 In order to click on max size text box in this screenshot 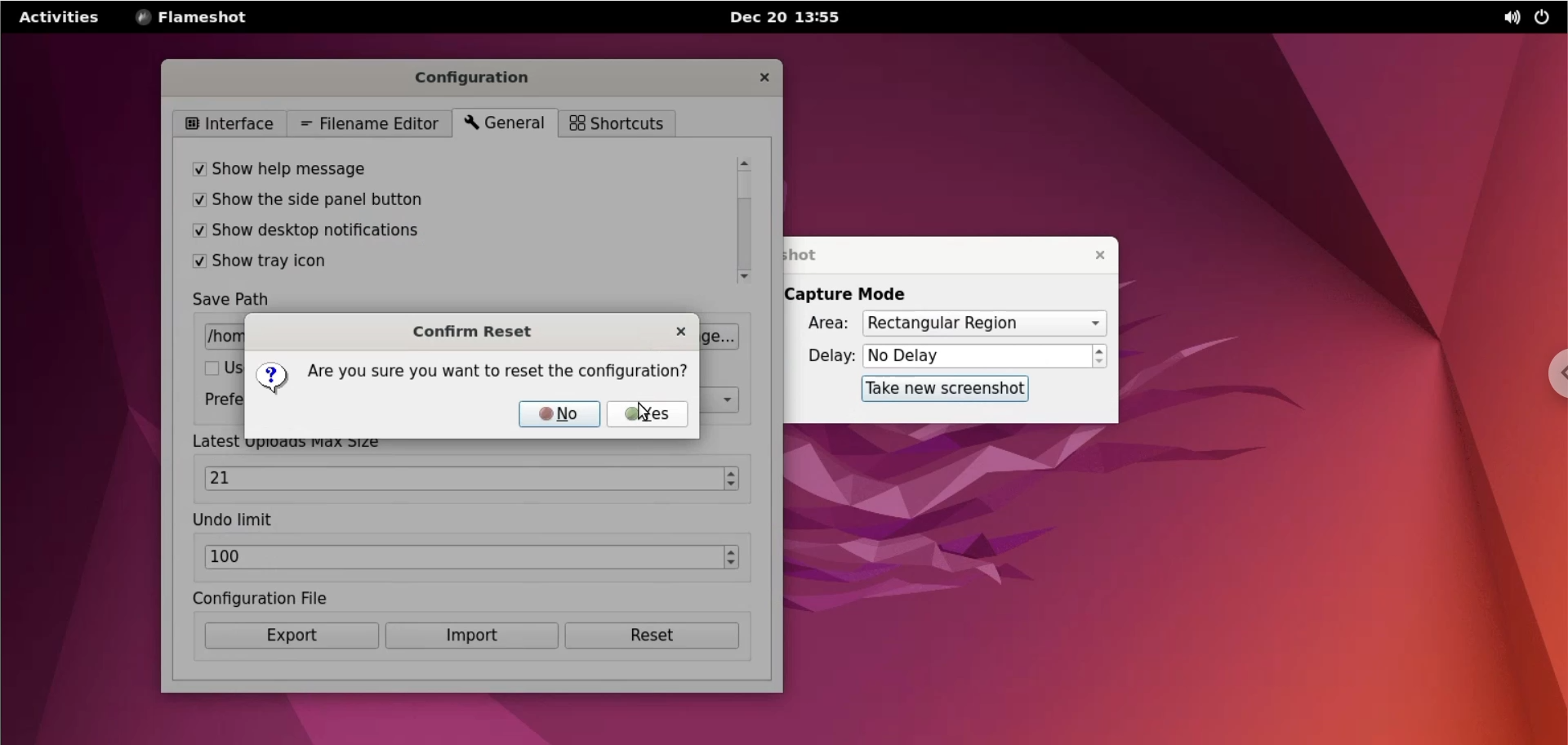, I will do `click(461, 480)`.